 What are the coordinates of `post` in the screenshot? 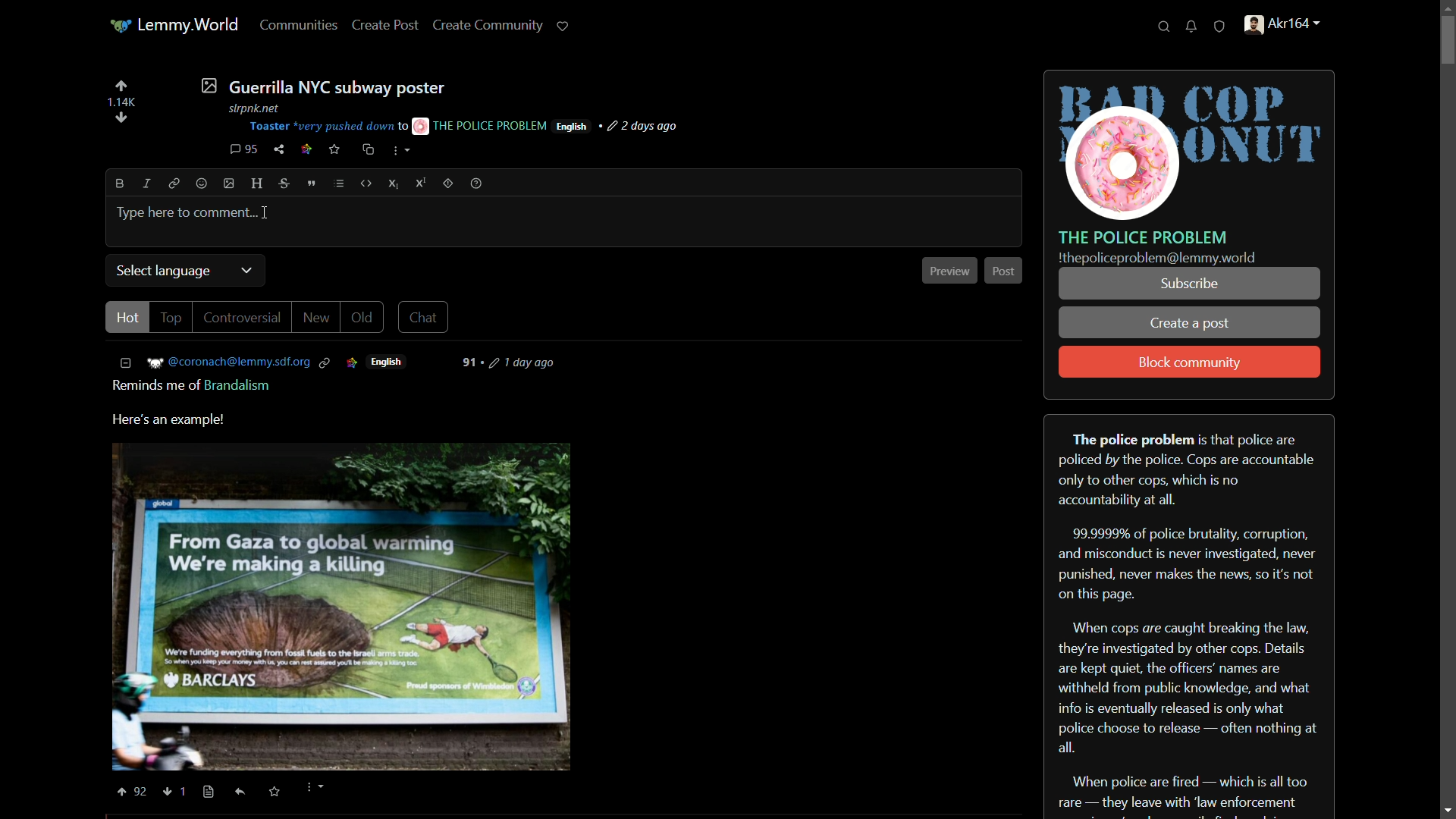 It's located at (1003, 270).